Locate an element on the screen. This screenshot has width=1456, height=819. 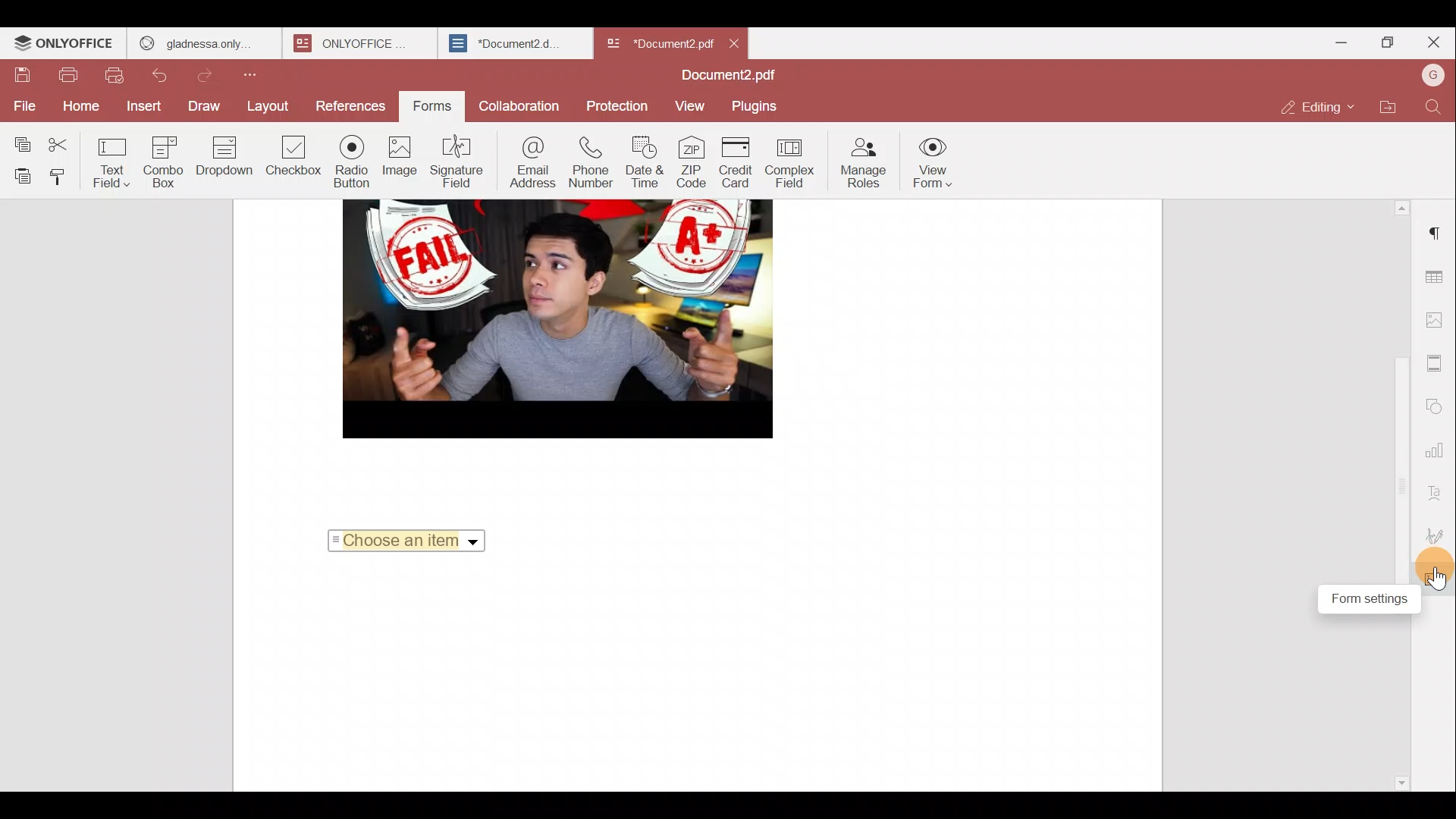
Text field is located at coordinates (117, 165).